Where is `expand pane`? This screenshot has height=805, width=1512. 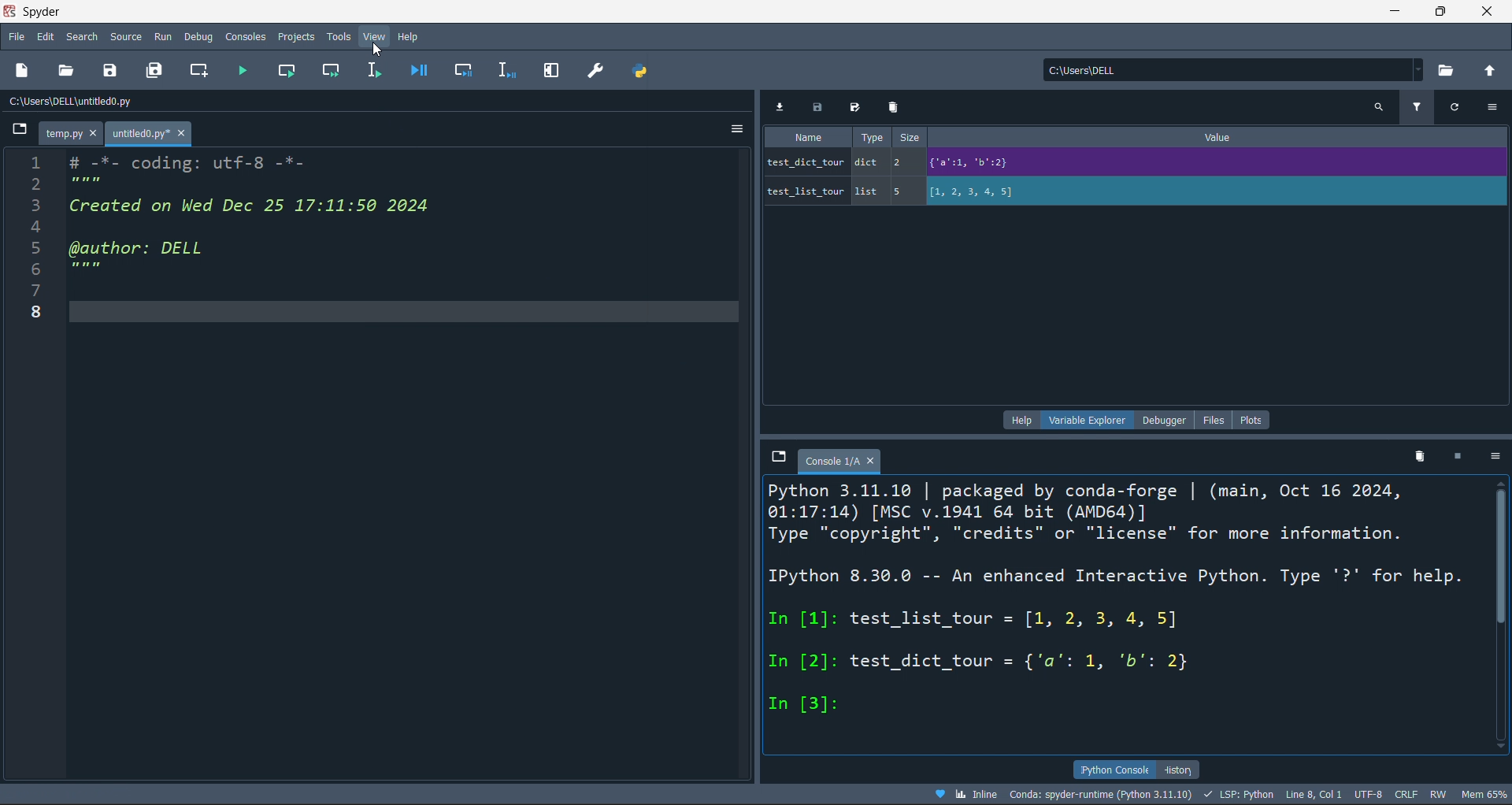 expand pane is located at coordinates (552, 71).